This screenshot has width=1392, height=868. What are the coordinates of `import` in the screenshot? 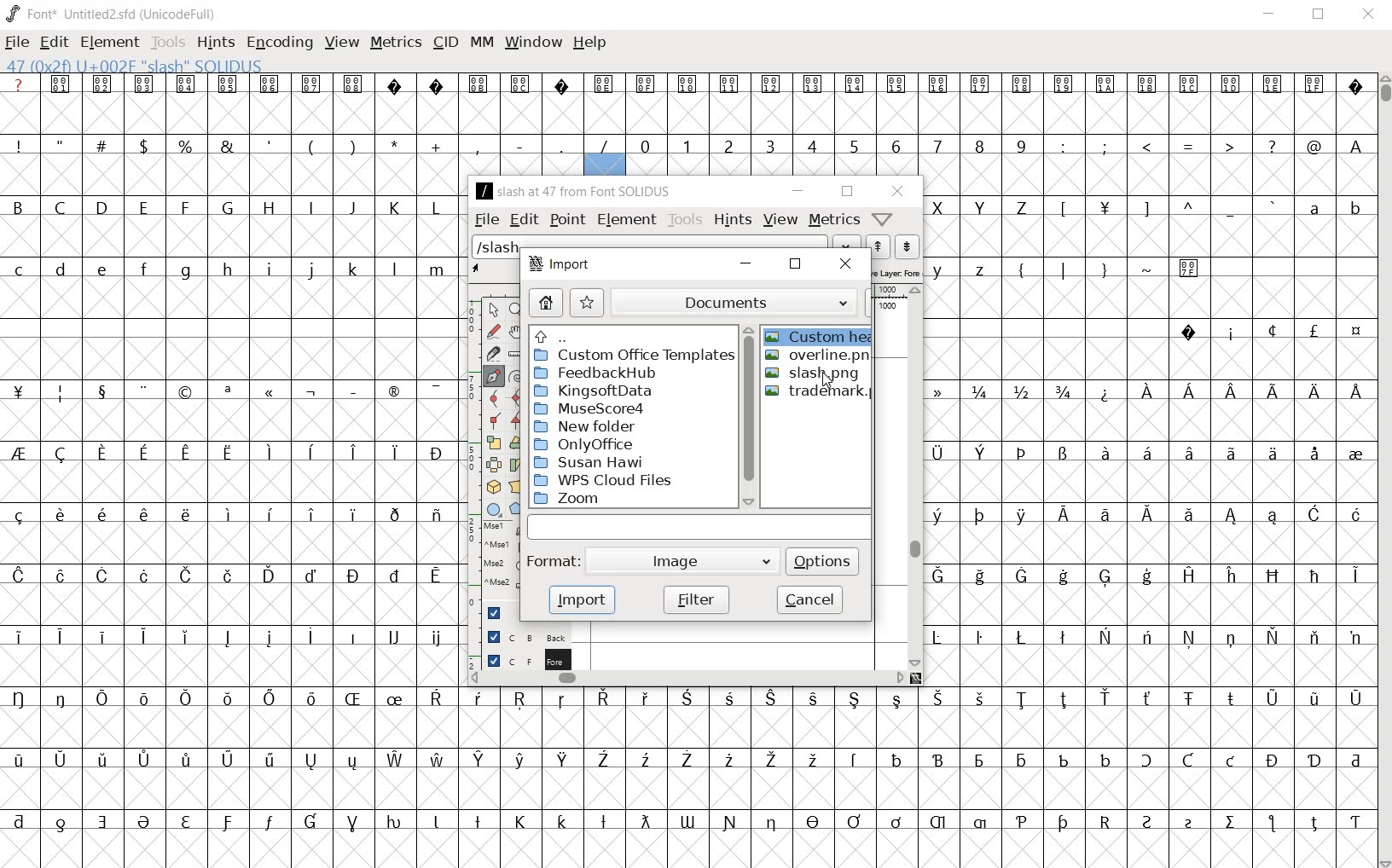 It's located at (583, 602).